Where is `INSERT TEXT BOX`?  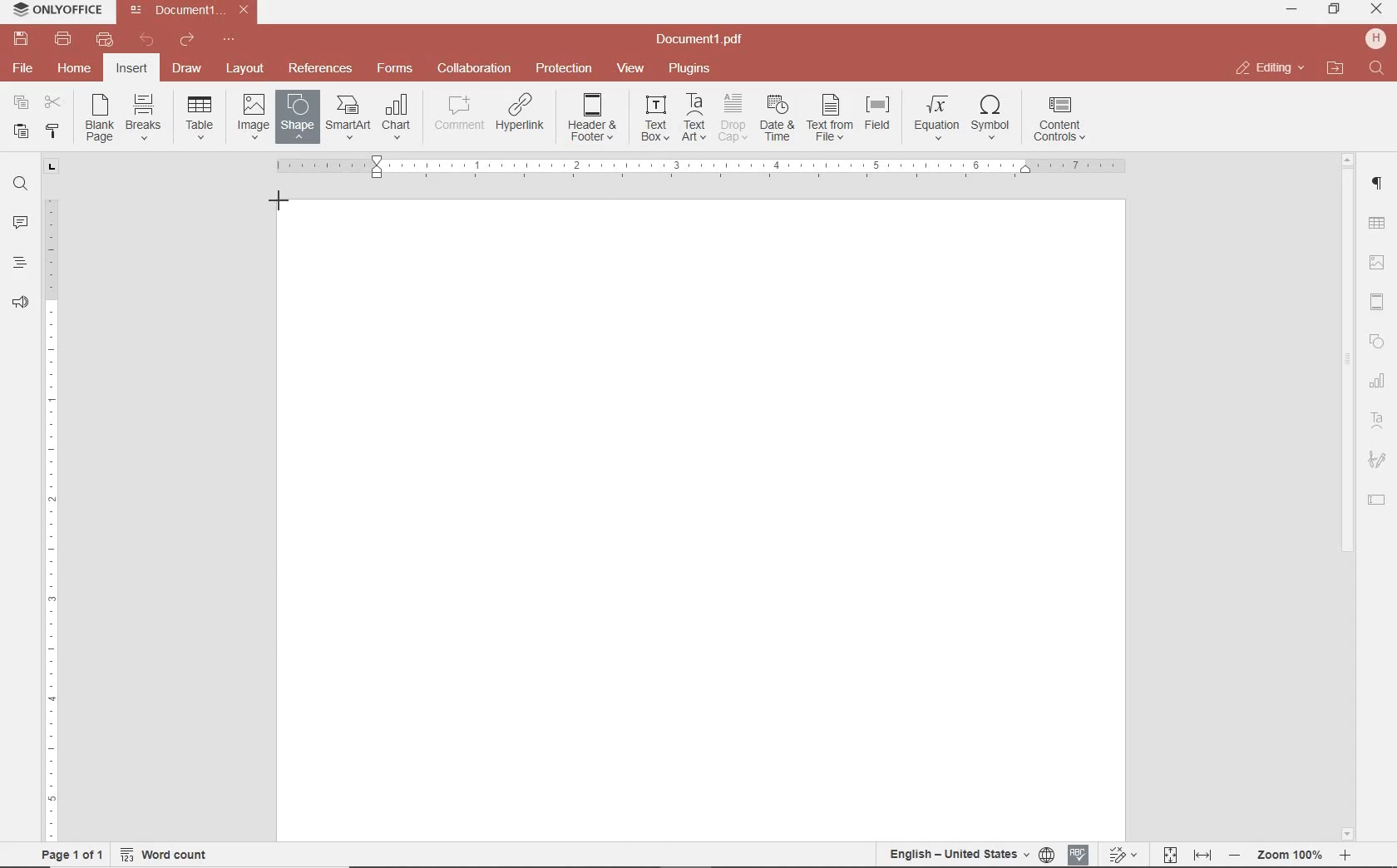
INSERT TEXT BOX is located at coordinates (654, 117).